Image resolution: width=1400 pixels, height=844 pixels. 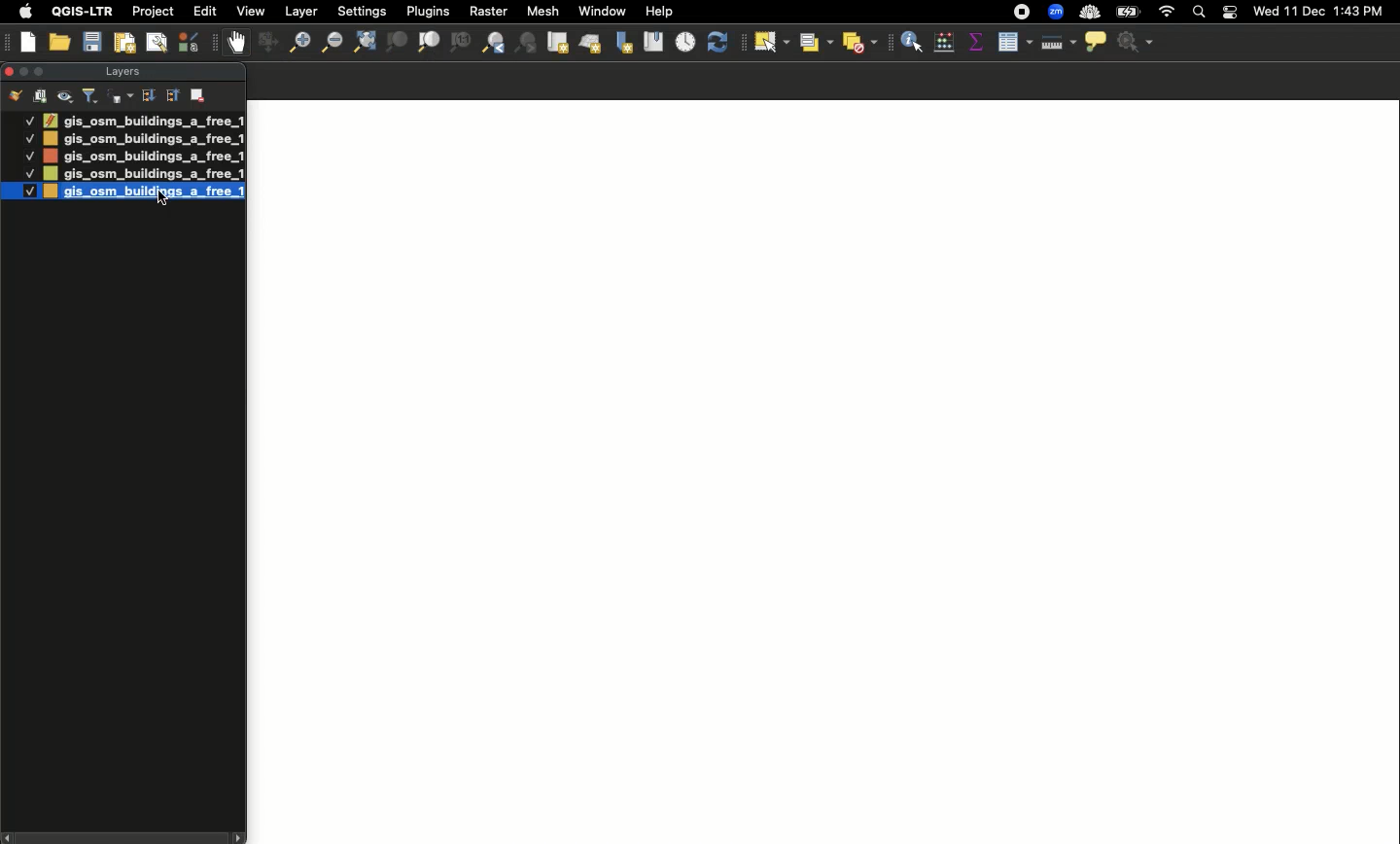 What do you see at coordinates (28, 137) in the screenshot?
I see `Checked` at bounding box center [28, 137].